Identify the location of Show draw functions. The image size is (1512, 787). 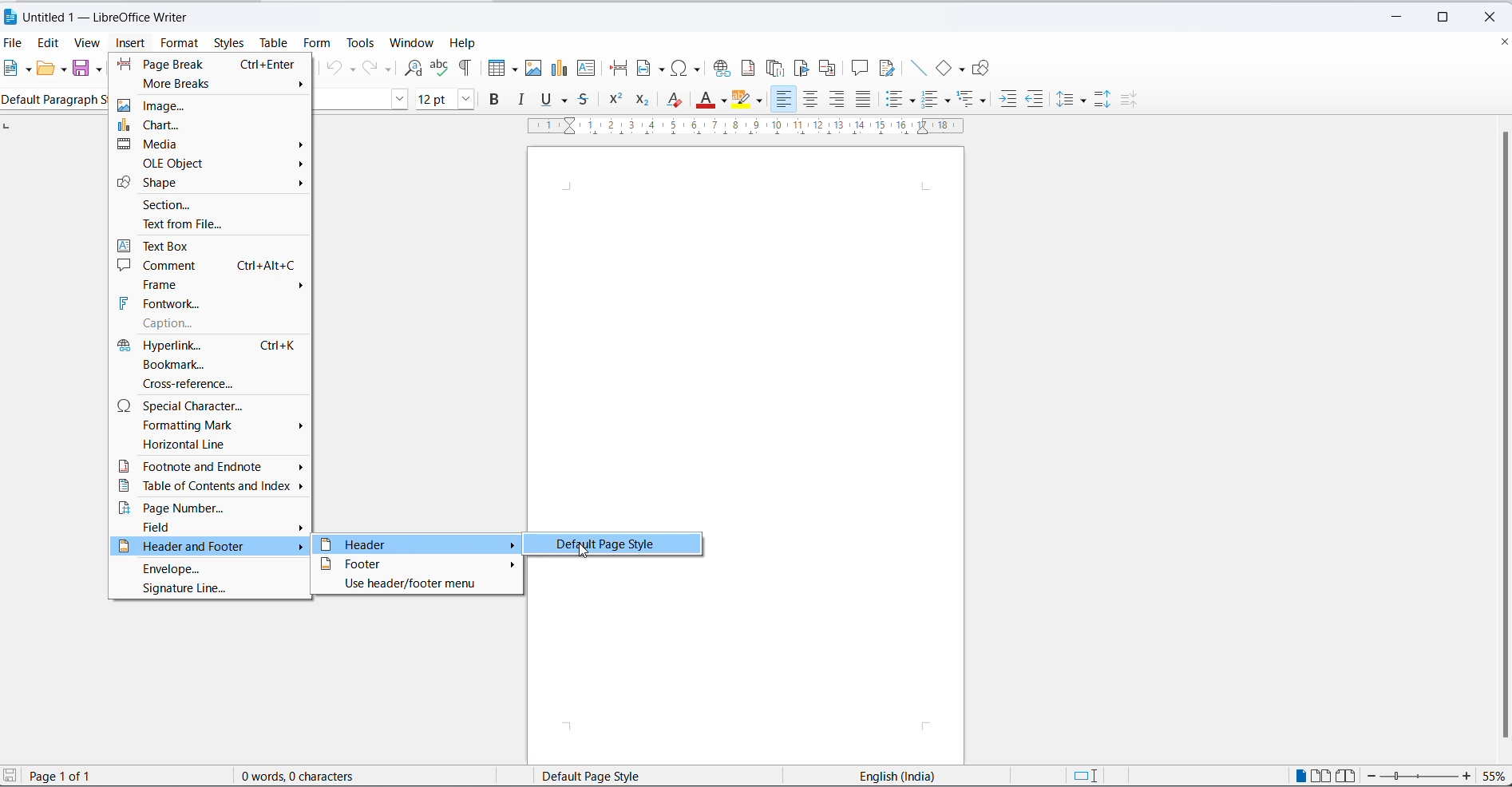
(984, 69).